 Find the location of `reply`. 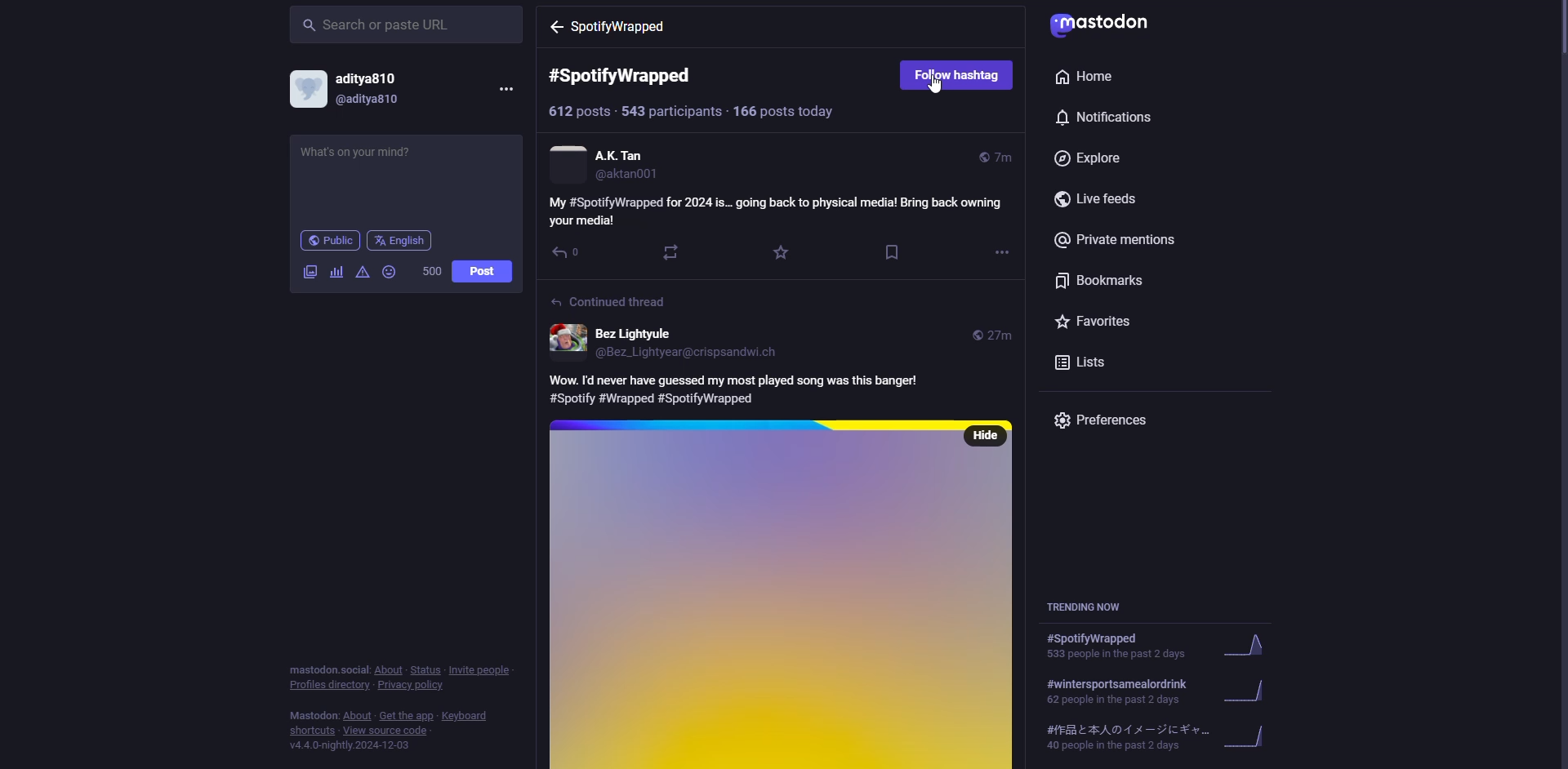

reply is located at coordinates (568, 253).